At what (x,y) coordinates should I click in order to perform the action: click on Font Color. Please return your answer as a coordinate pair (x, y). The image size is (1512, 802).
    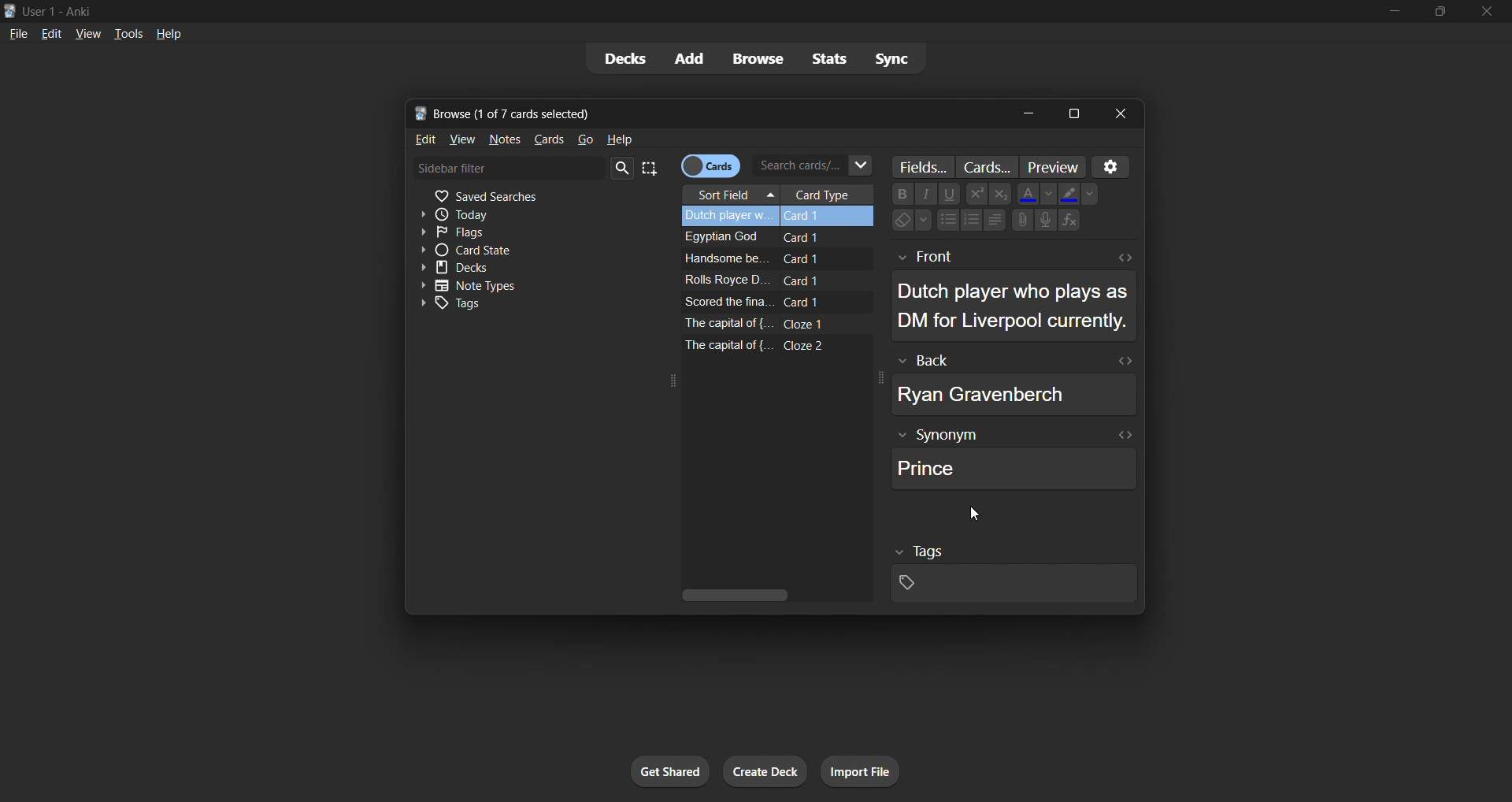
    Looking at the image, I should click on (1026, 194).